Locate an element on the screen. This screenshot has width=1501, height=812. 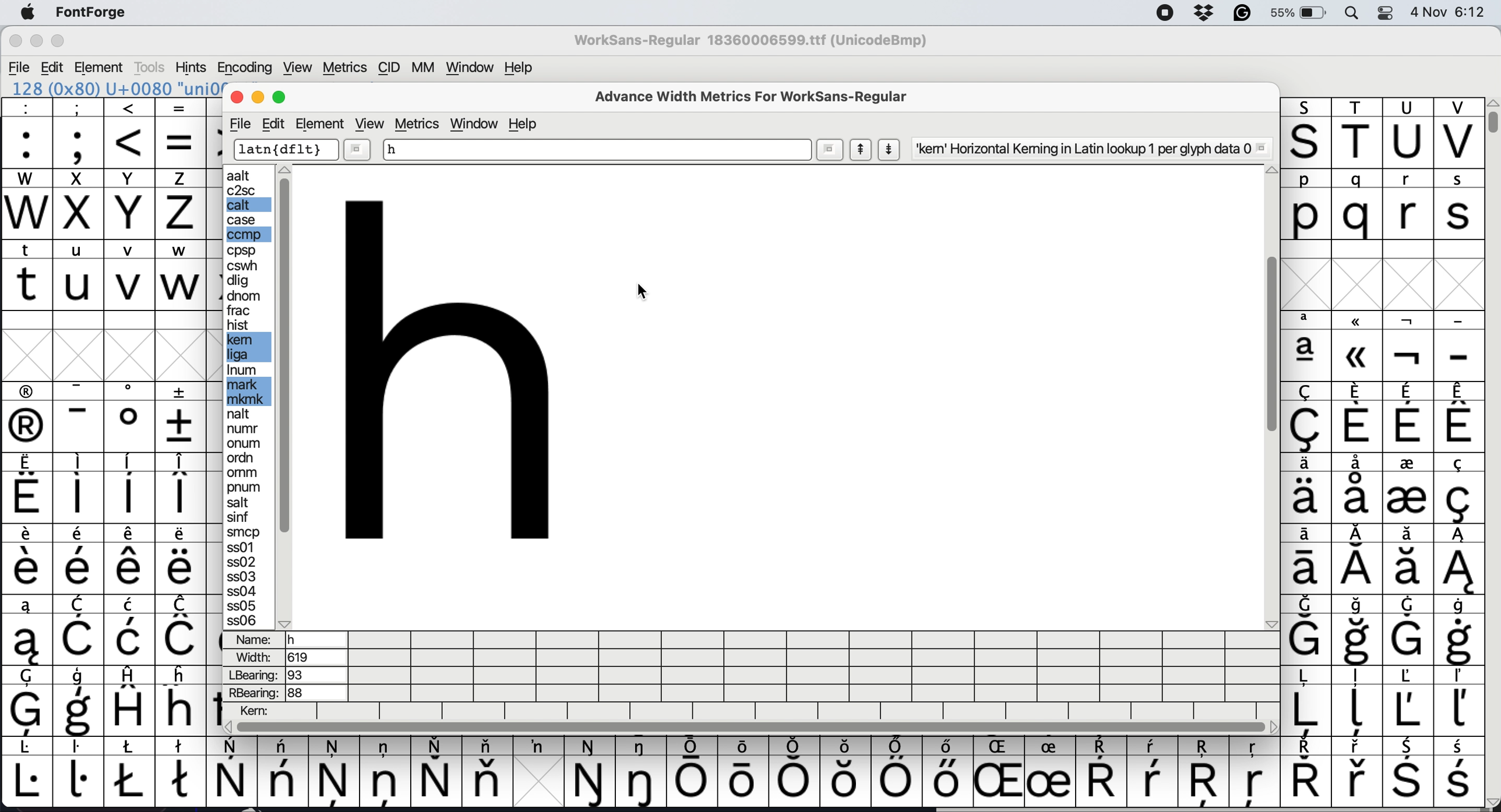
horizontal scroll bar is located at coordinates (753, 728).